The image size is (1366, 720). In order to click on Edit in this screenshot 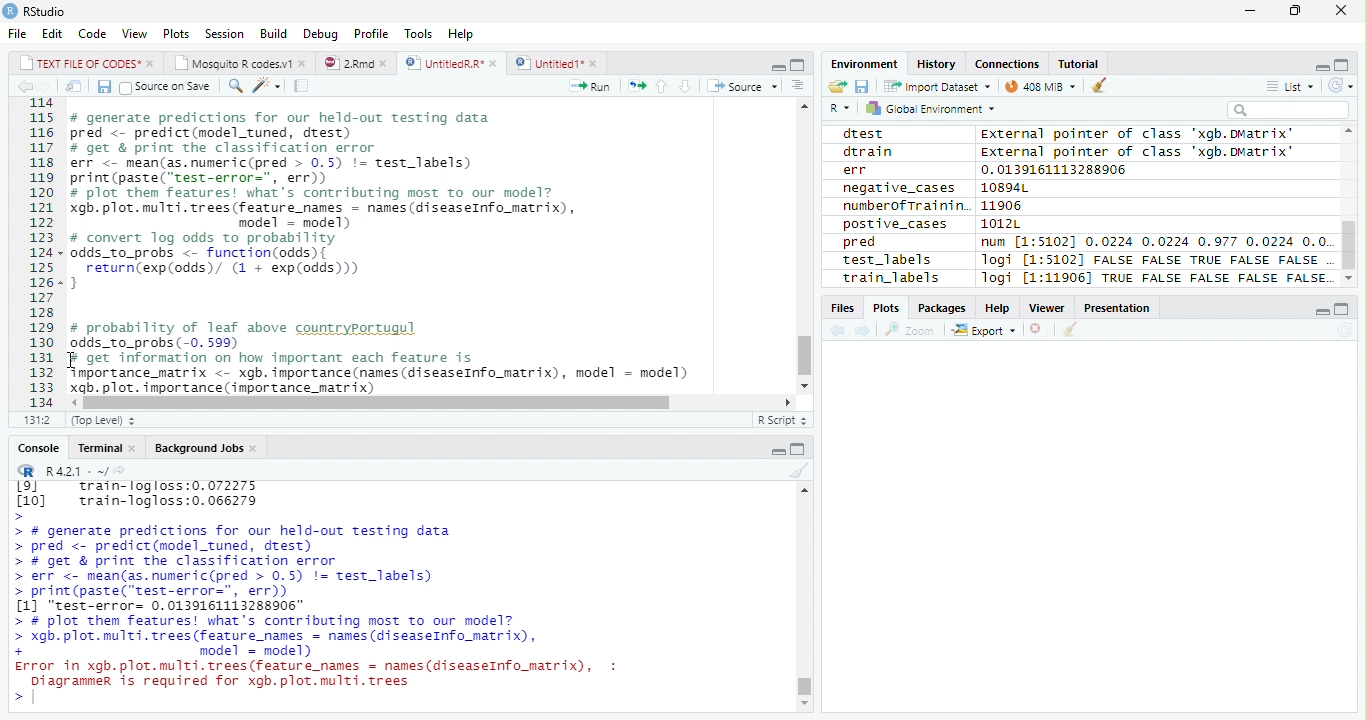, I will do `click(50, 33)`.